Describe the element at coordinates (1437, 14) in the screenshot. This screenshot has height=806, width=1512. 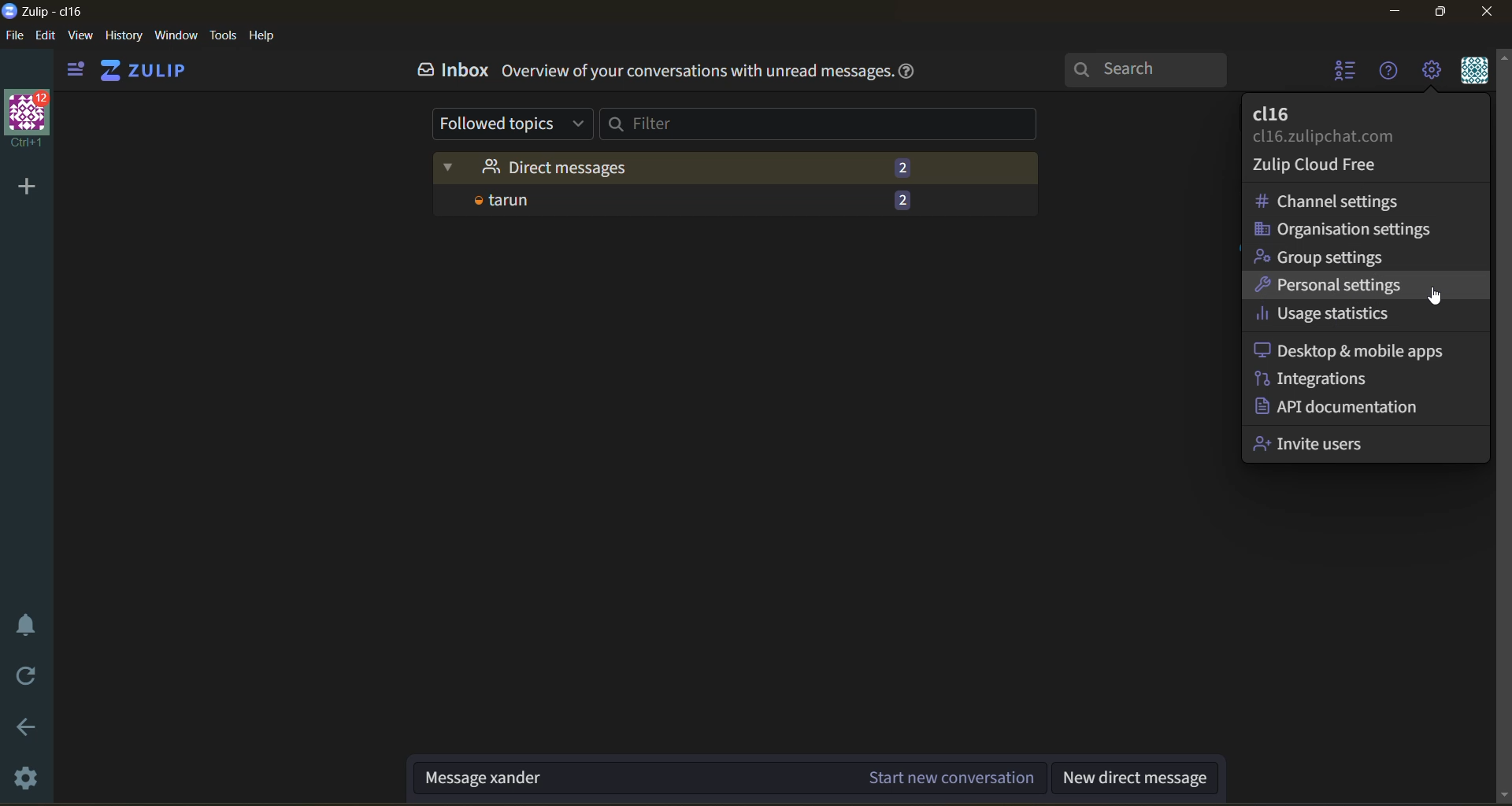
I see `maximize` at that location.